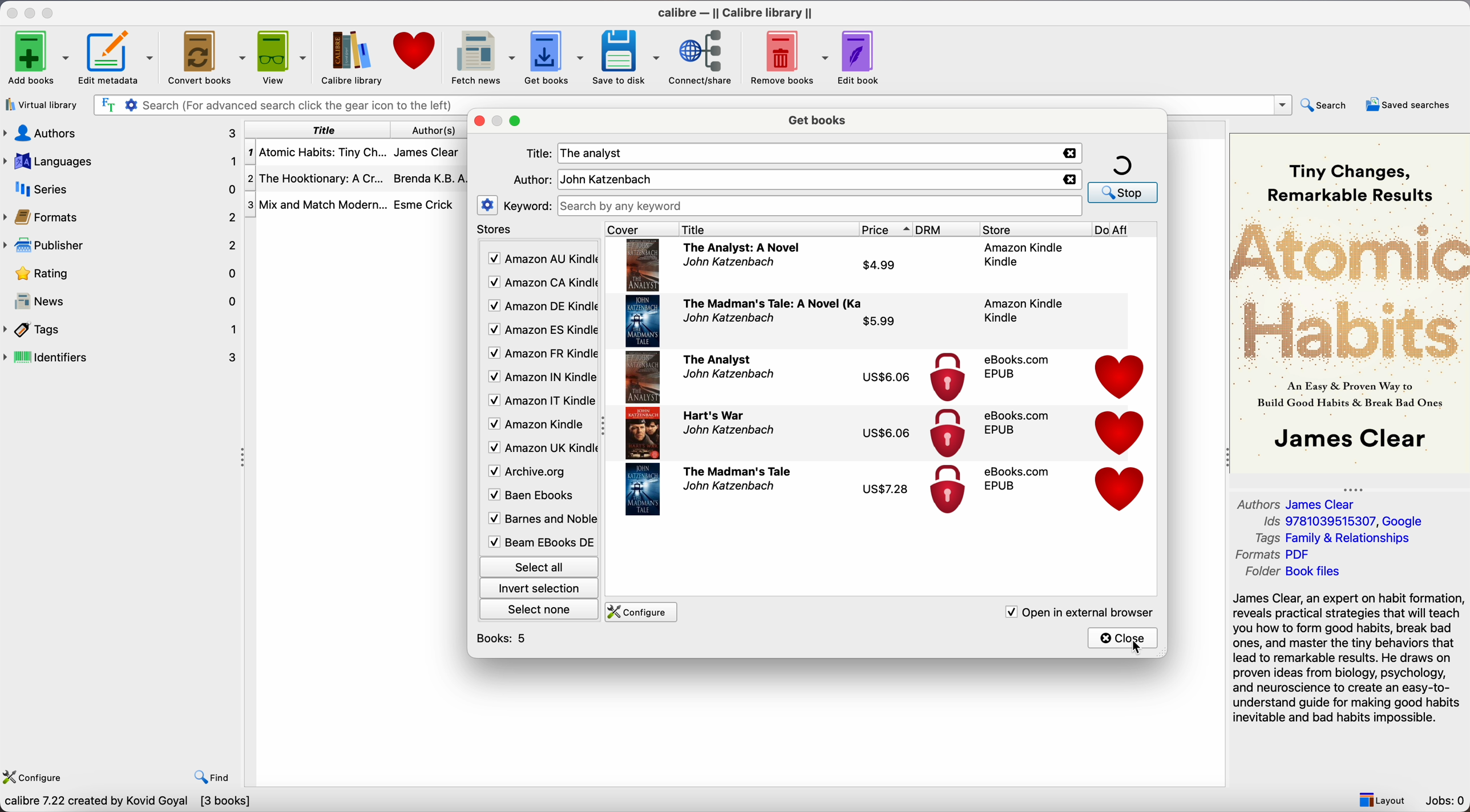  Describe the element at coordinates (541, 332) in the screenshot. I see `Amazon ES Kindle` at that location.